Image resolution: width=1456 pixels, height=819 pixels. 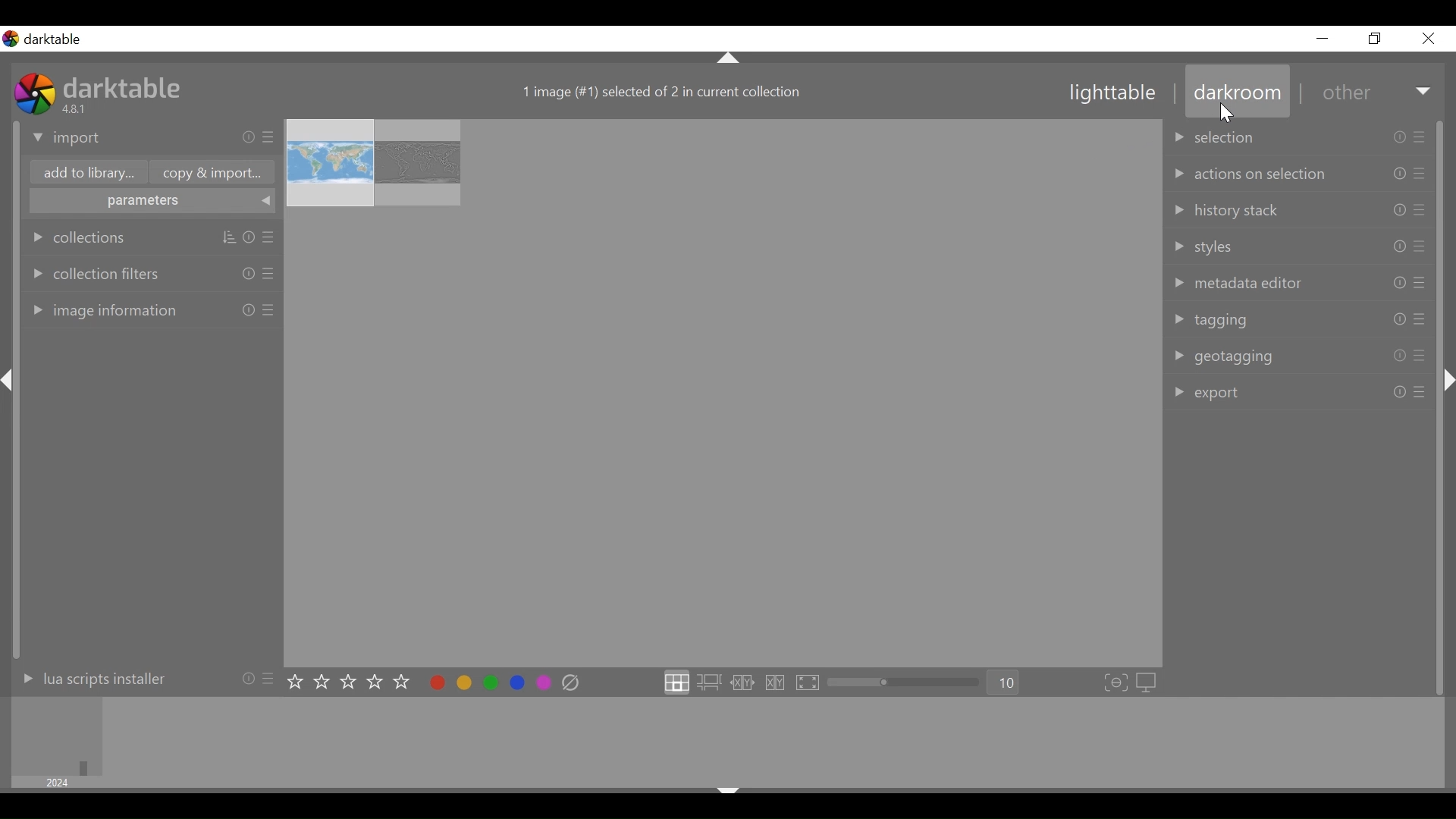 What do you see at coordinates (151, 308) in the screenshot?
I see `Image information` at bounding box center [151, 308].